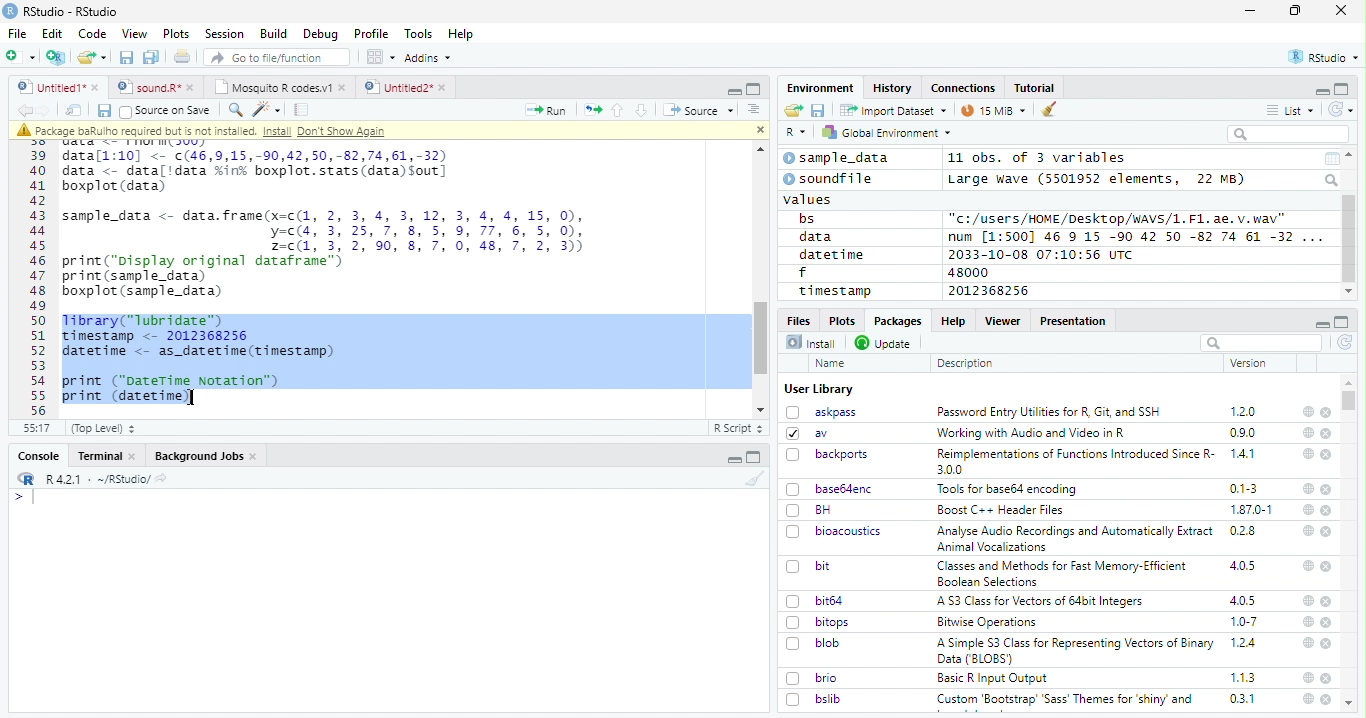  I want to click on brio, so click(812, 678).